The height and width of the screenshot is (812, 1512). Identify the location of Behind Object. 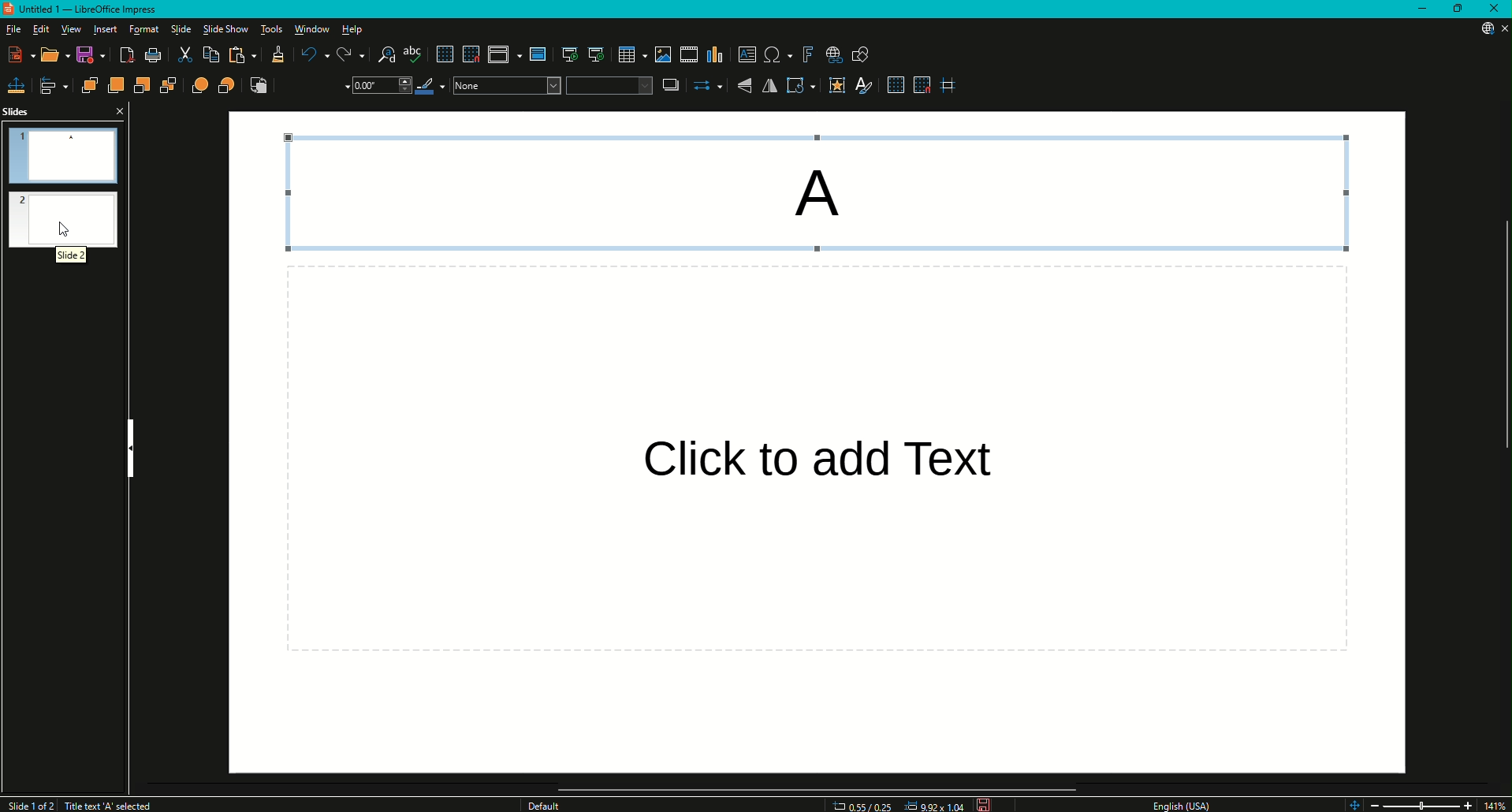
(224, 86).